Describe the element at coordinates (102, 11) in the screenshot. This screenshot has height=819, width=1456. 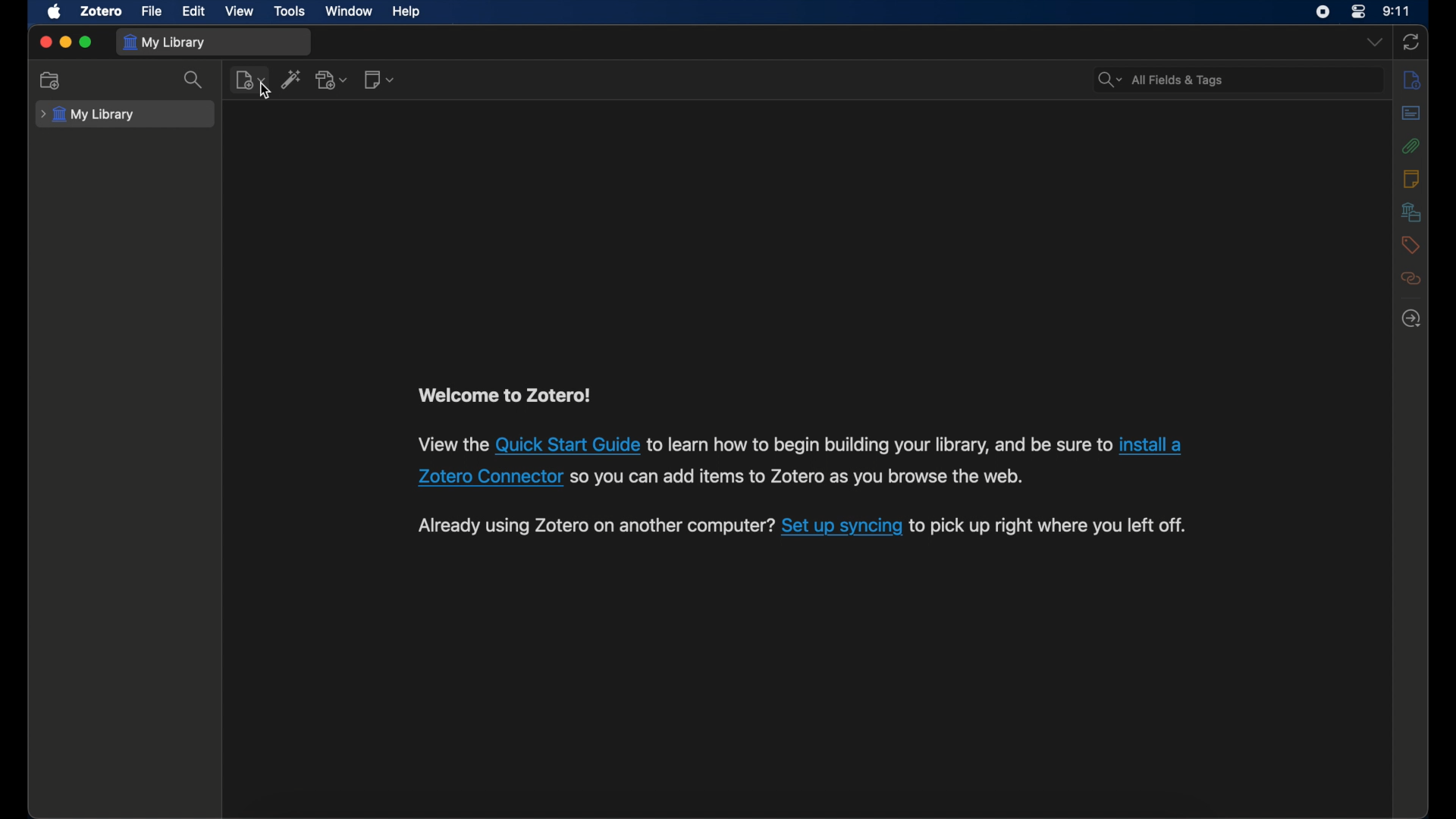
I see `zotero` at that location.